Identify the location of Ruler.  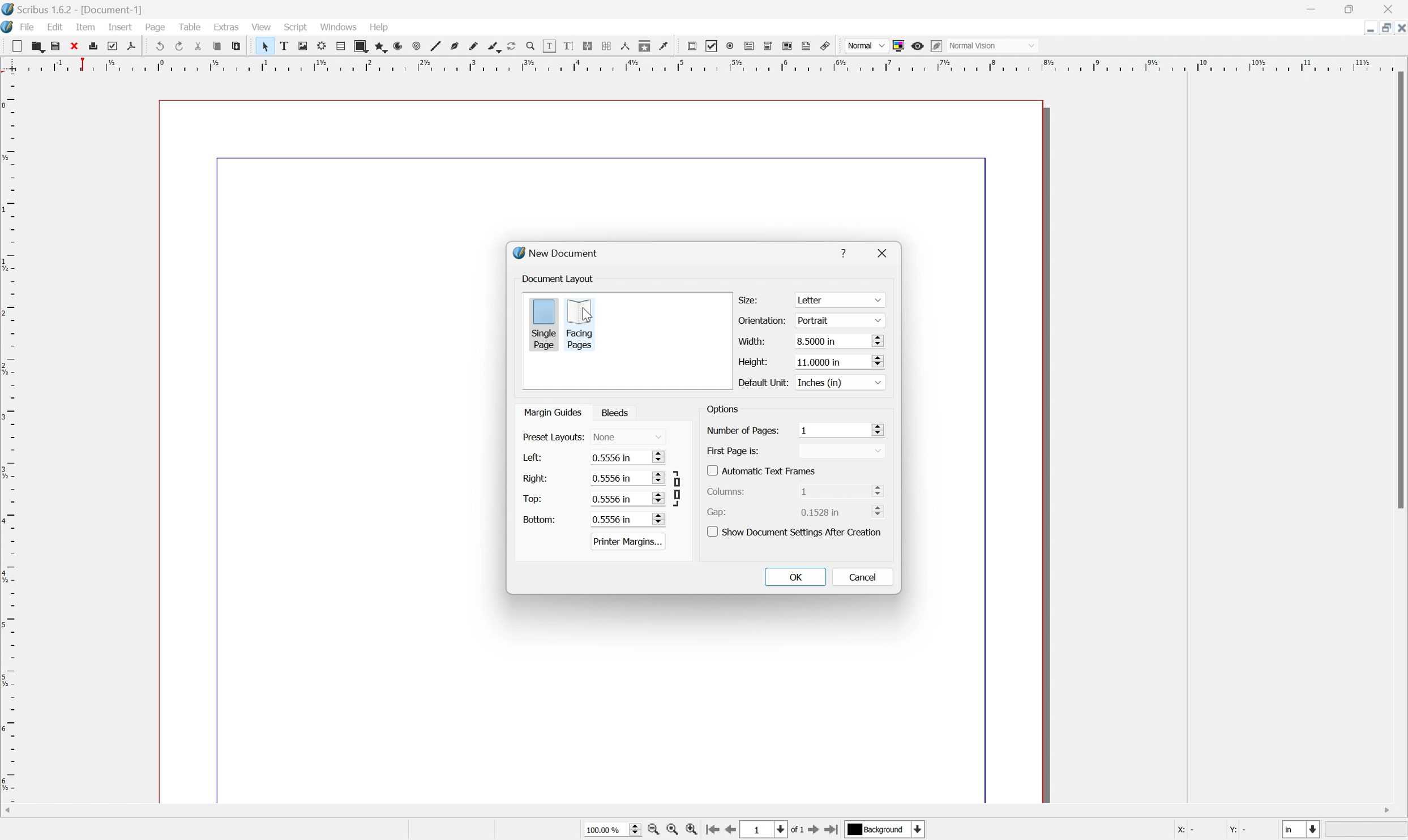
(700, 64).